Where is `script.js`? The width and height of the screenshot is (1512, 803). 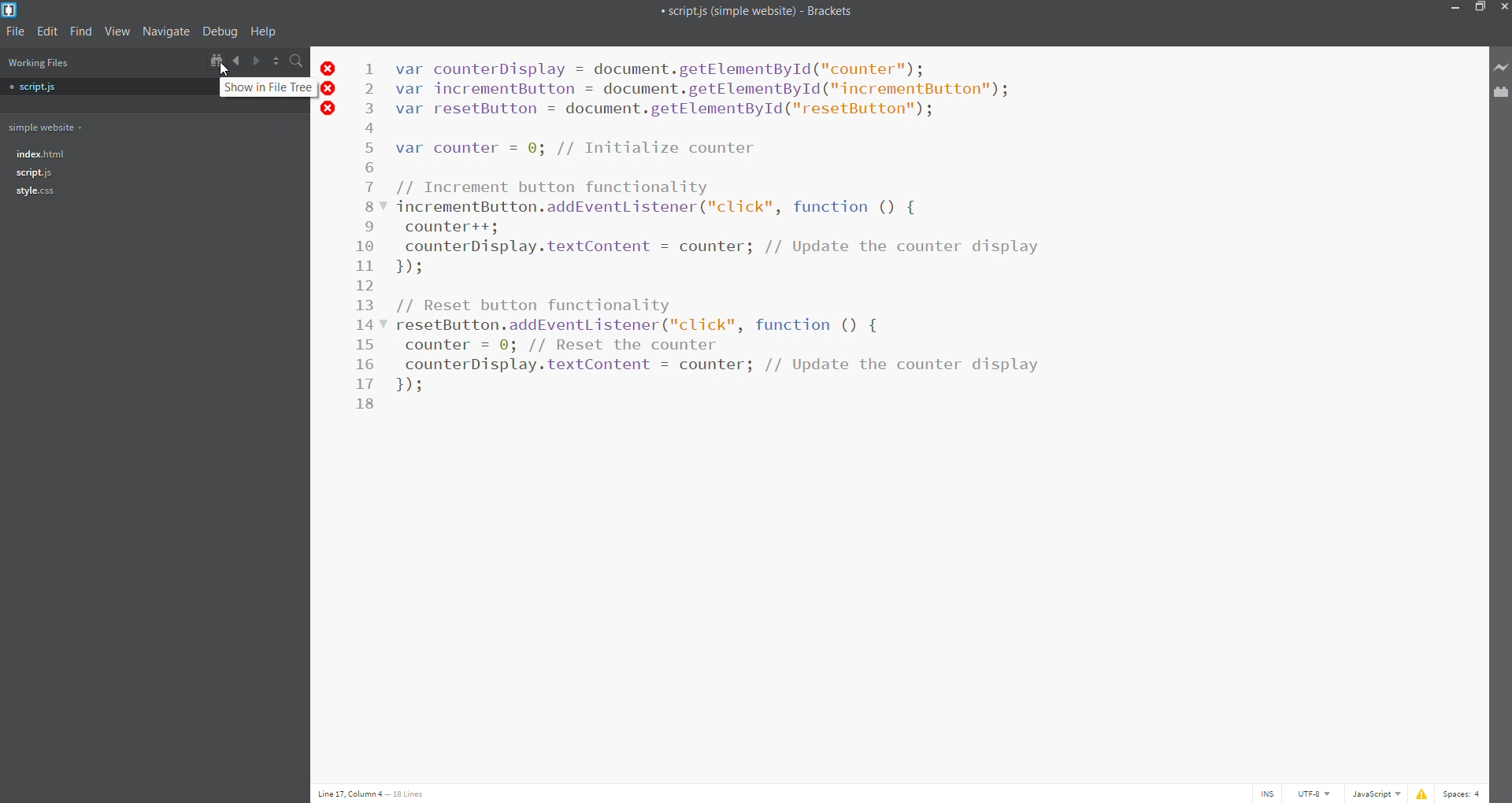
script.js is located at coordinates (33, 172).